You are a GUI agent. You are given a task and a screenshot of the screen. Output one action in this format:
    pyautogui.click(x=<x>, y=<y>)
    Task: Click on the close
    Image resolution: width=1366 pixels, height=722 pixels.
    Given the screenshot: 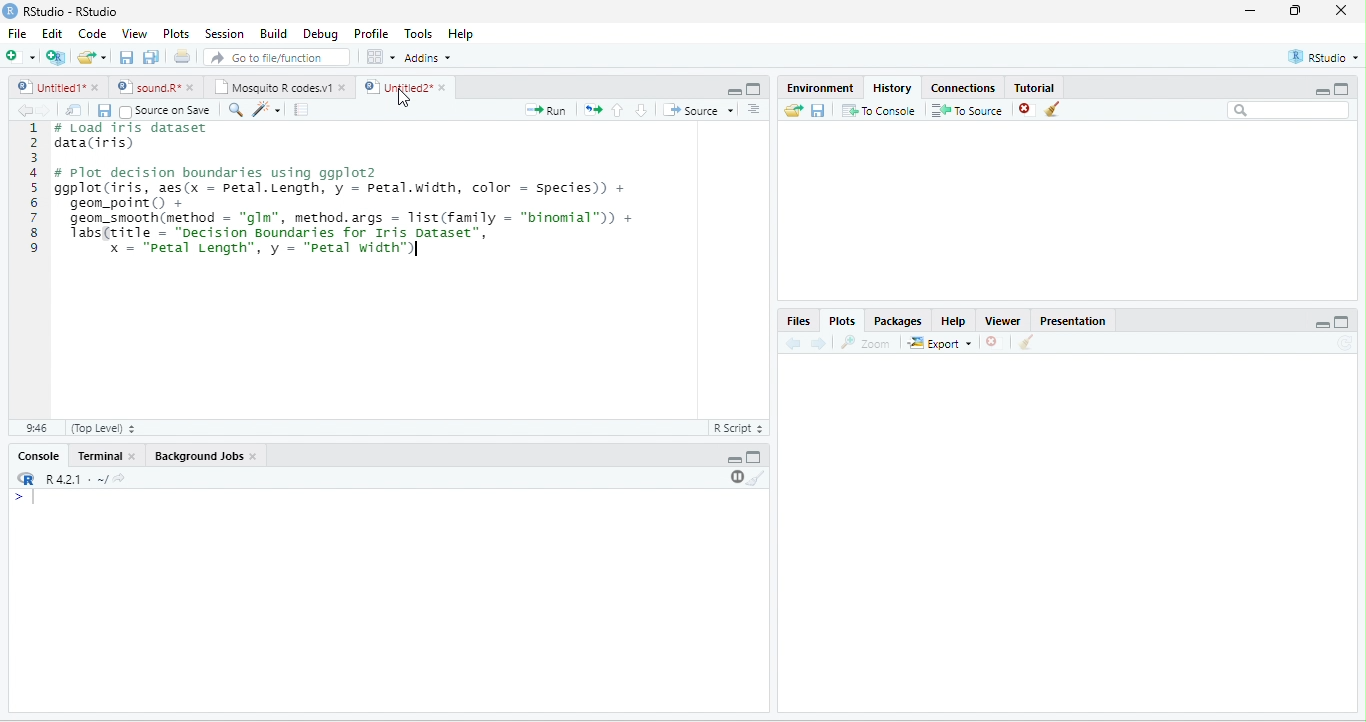 What is the action you would take?
    pyautogui.click(x=991, y=342)
    